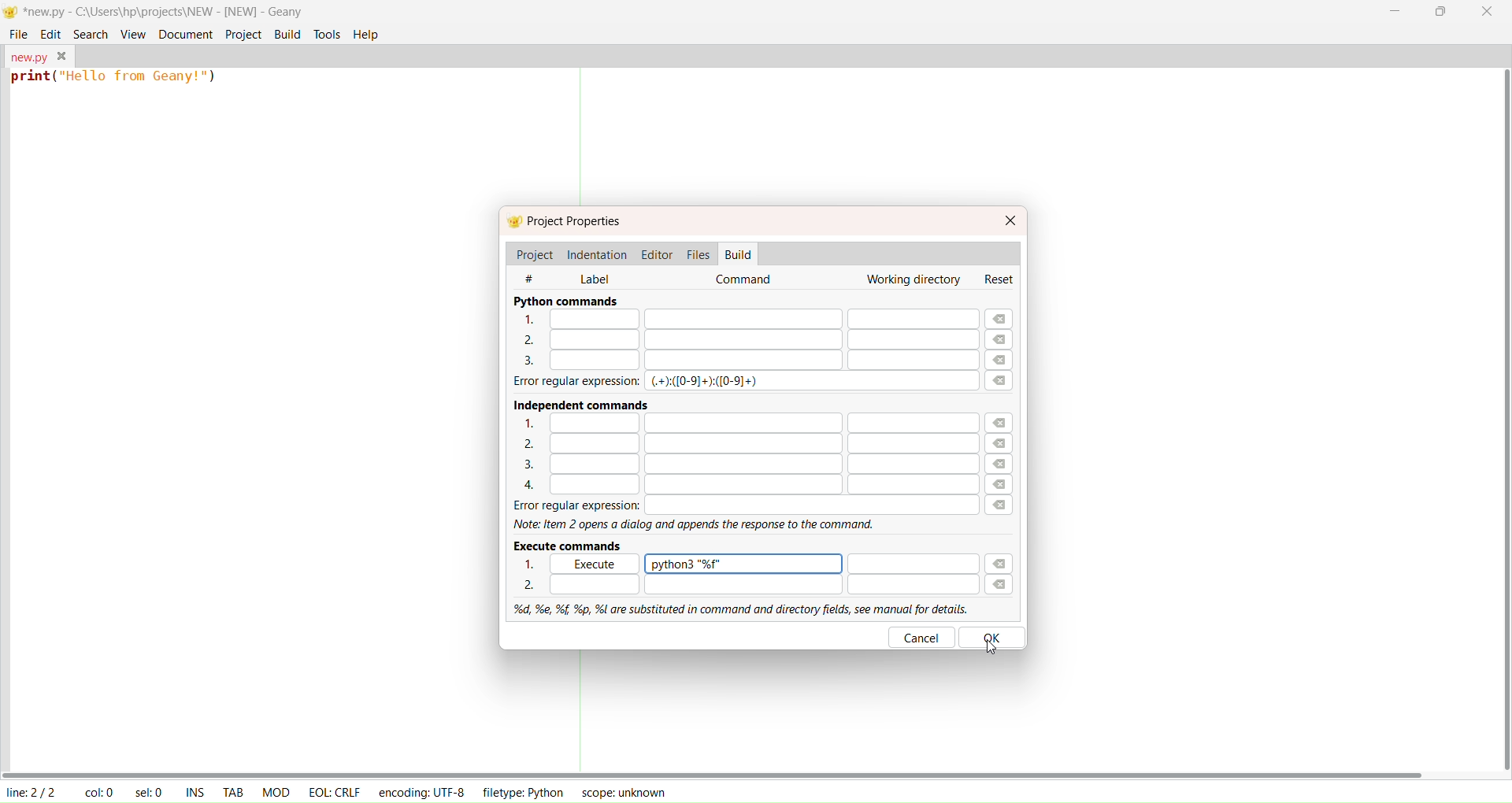 Image resolution: width=1512 pixels, height=803 pixels. What do you see at coordinates (164, 11) in the screenshot?
I see `title` at bounding box center [164, 11].